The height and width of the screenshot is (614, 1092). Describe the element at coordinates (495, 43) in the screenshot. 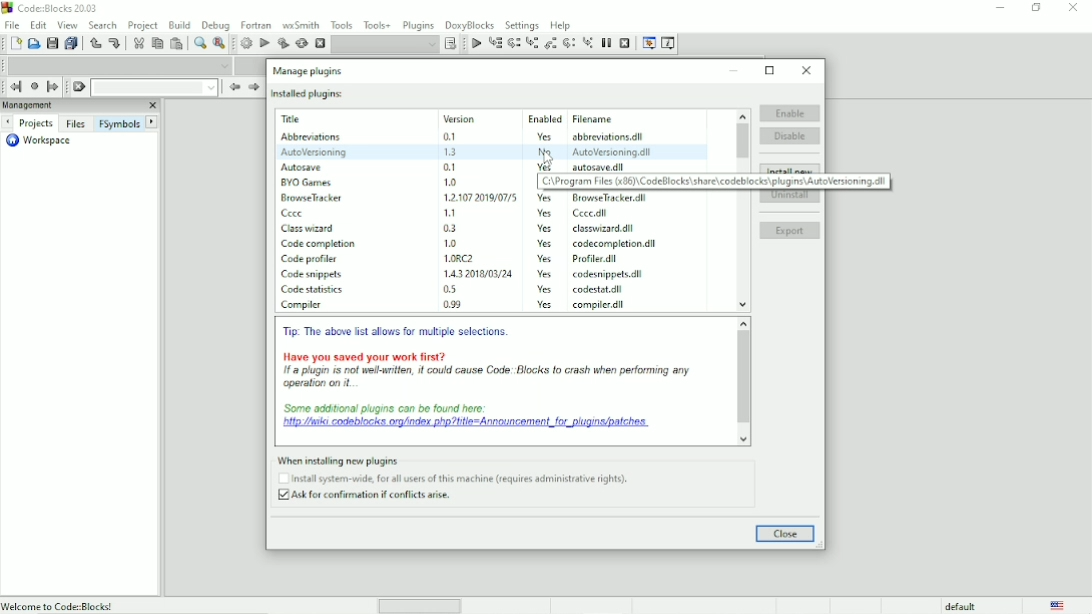

I see `Run to cursor` at that location.